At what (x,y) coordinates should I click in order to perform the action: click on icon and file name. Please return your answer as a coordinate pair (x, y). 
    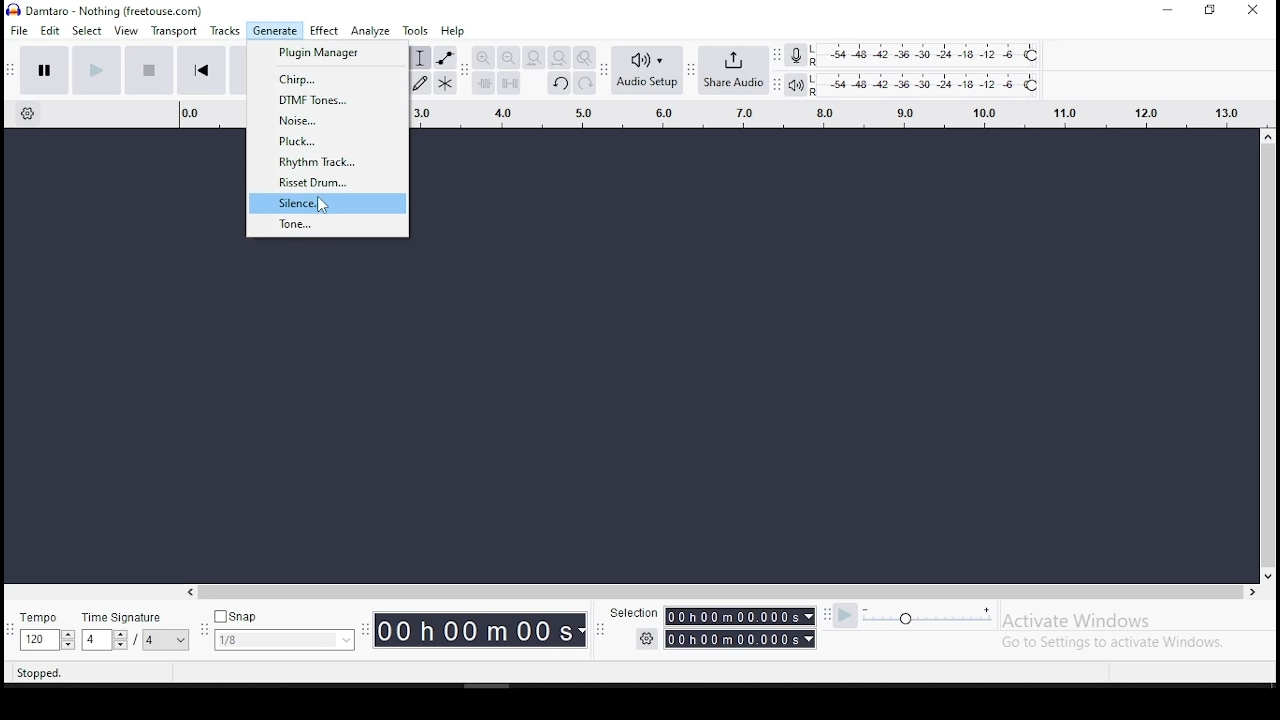
    Looking at the image, I should click on (105, 10).